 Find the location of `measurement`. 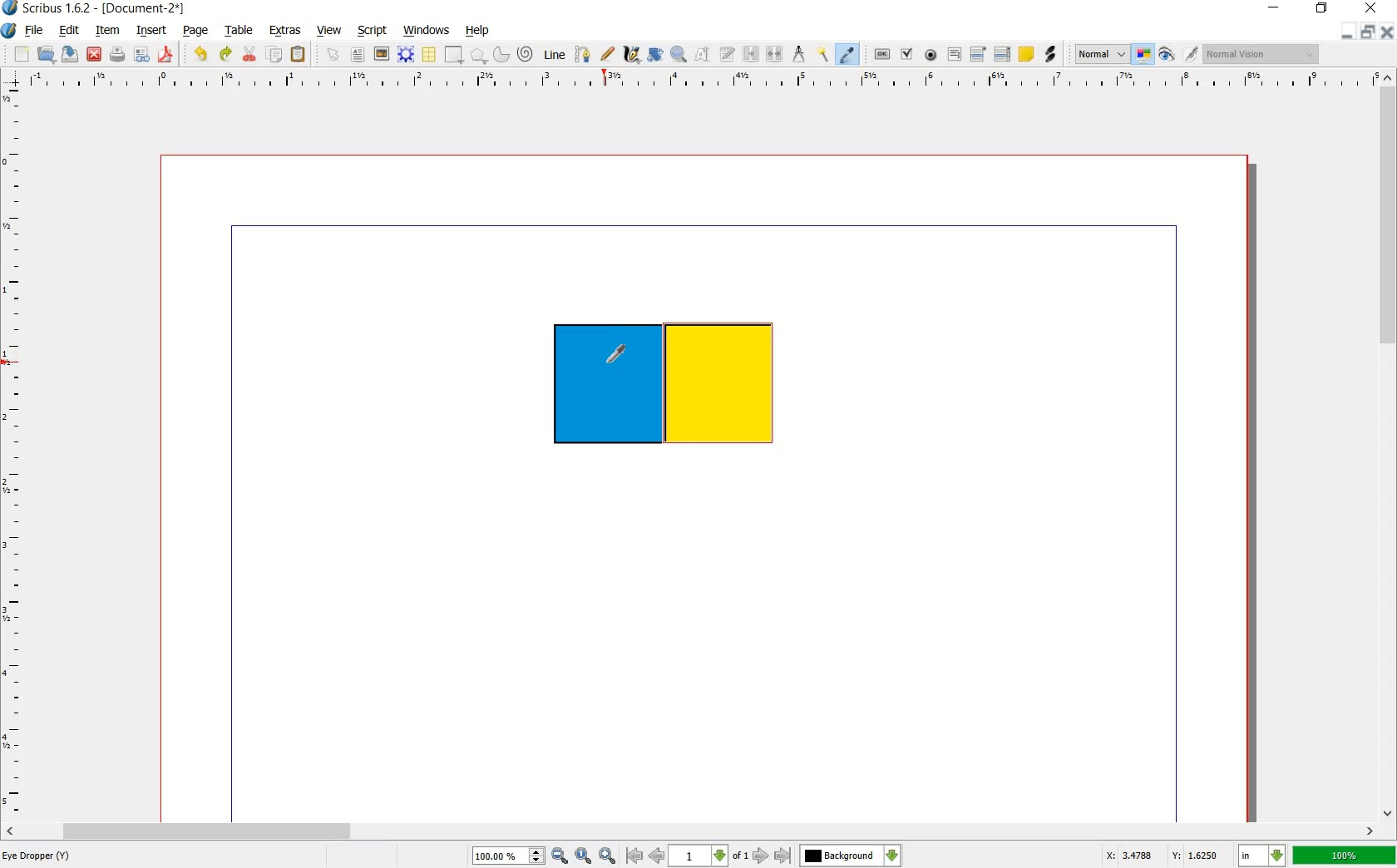

measurement is located at coordinates (800, 55).